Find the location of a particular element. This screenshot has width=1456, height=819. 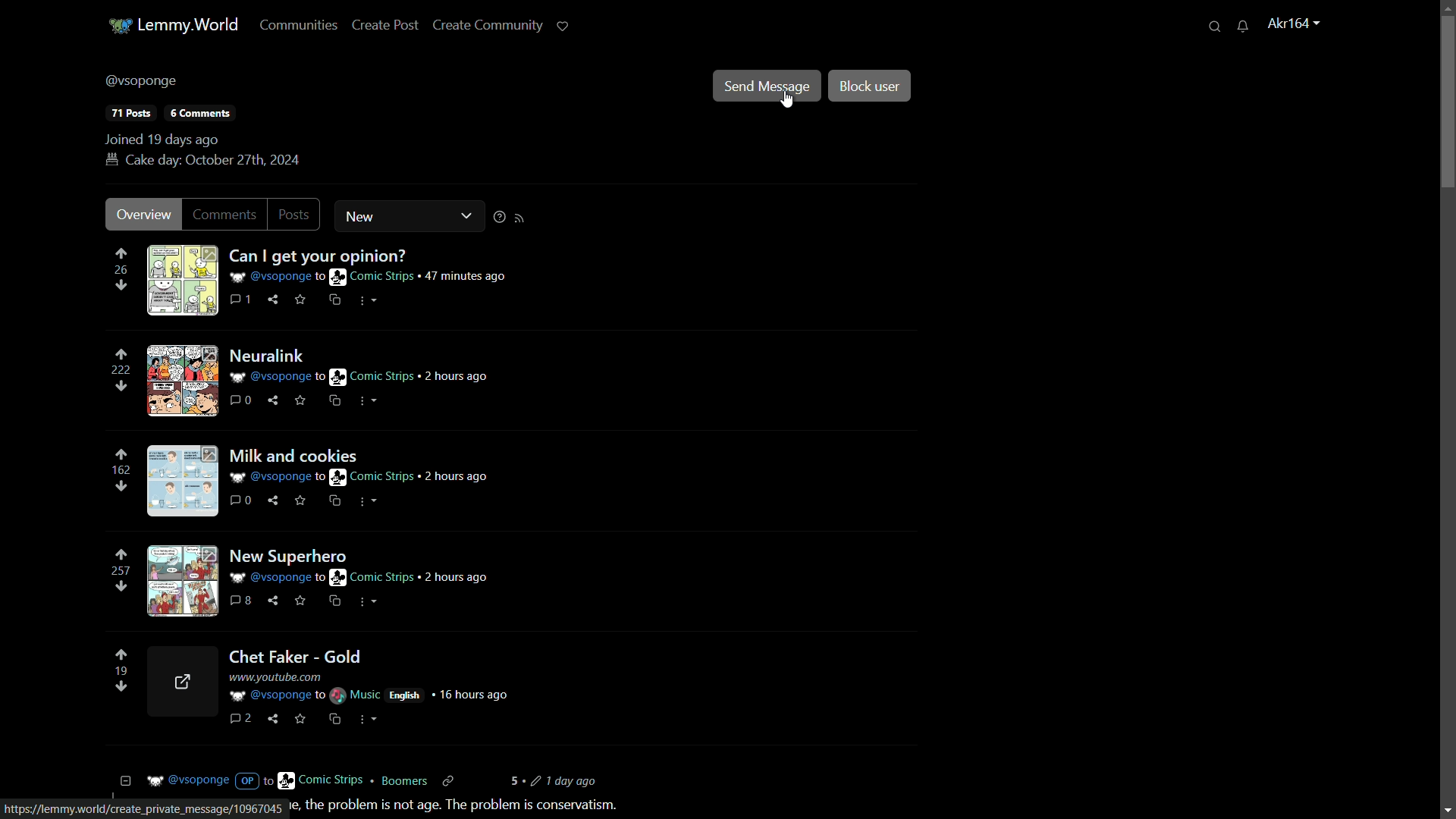

save is located at coordinates (303, 600).